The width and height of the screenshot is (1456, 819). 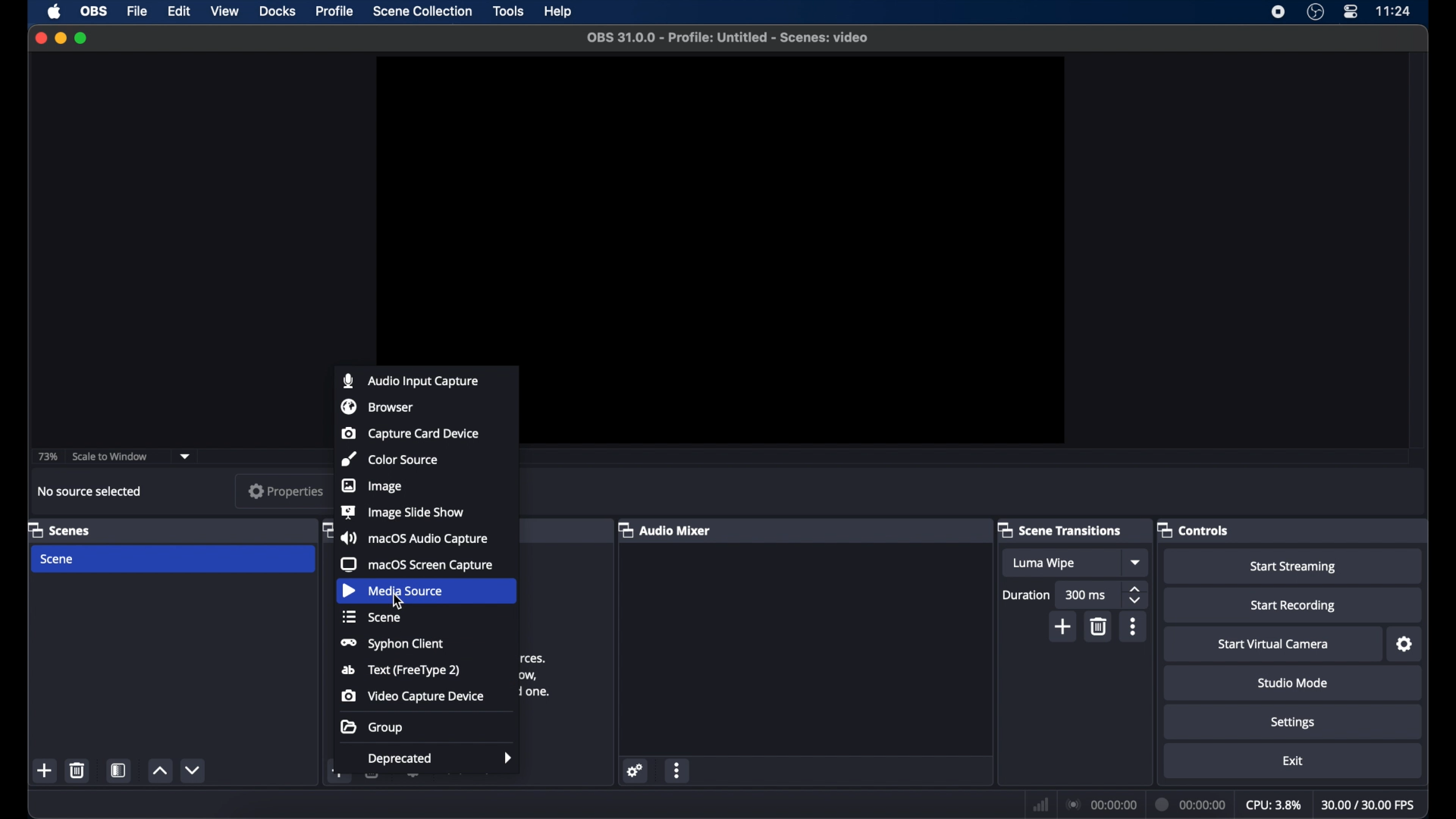 I want to click on deprecated, so click(x=442, y=758).